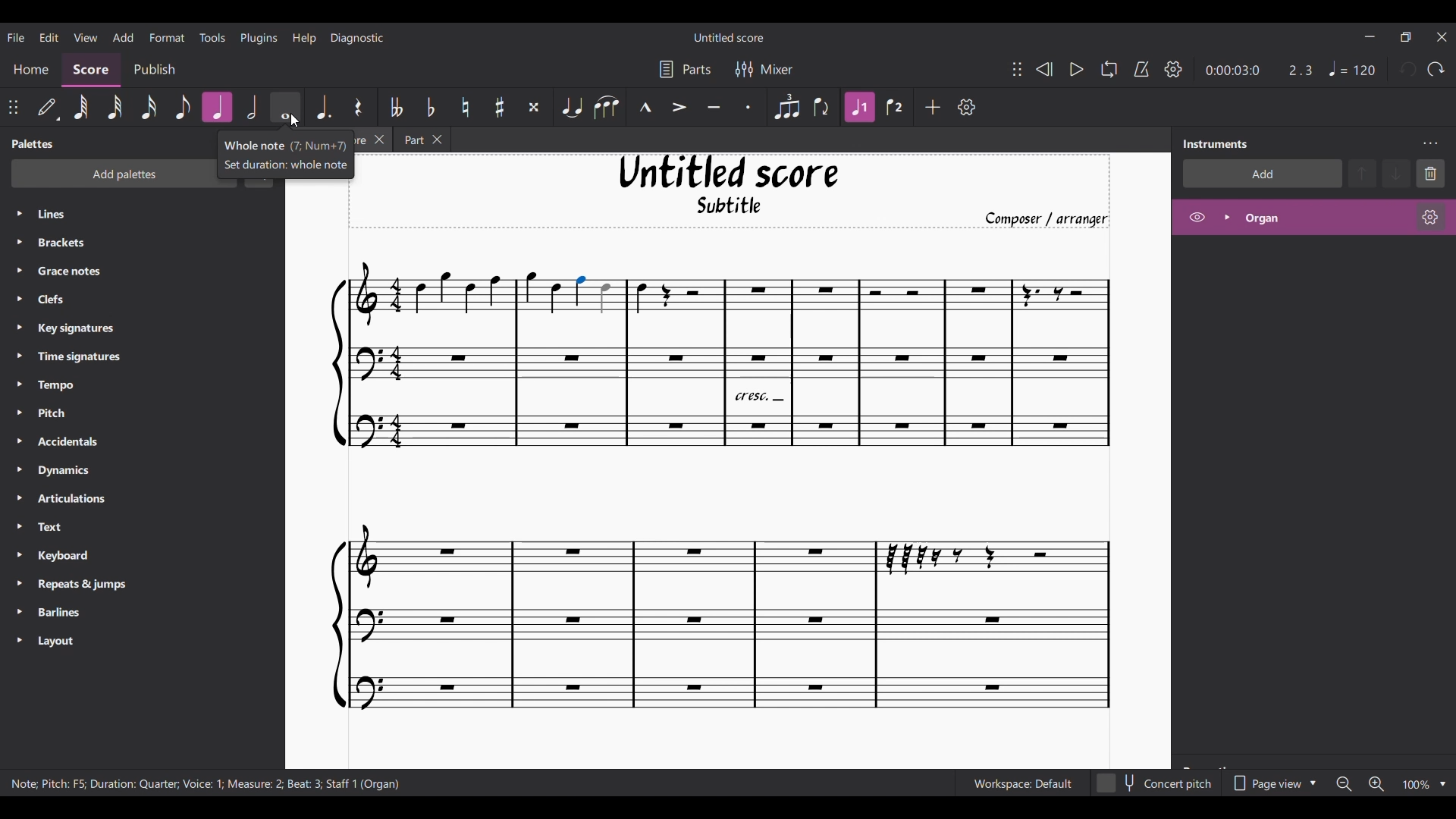 The width and height of the screenshot is (1456, 819). I want to click on Click to expand respective palette, so click(18, 427).